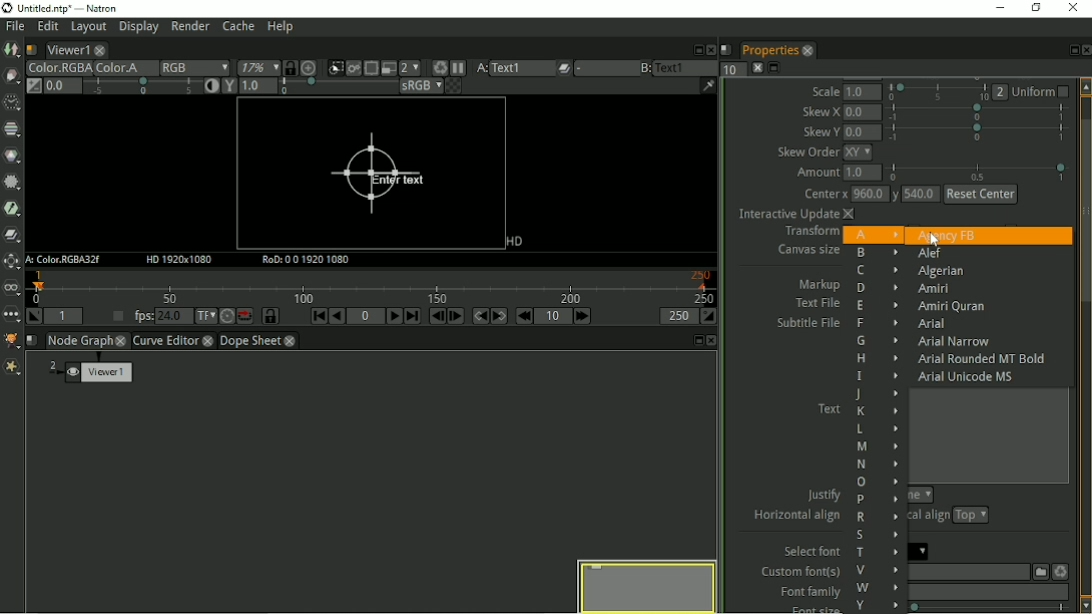 Image resolution: width=1092 pixels, height=614 pixels. Describe the element at coordinates (13, 130) in the screenshot. I see `` at that location.